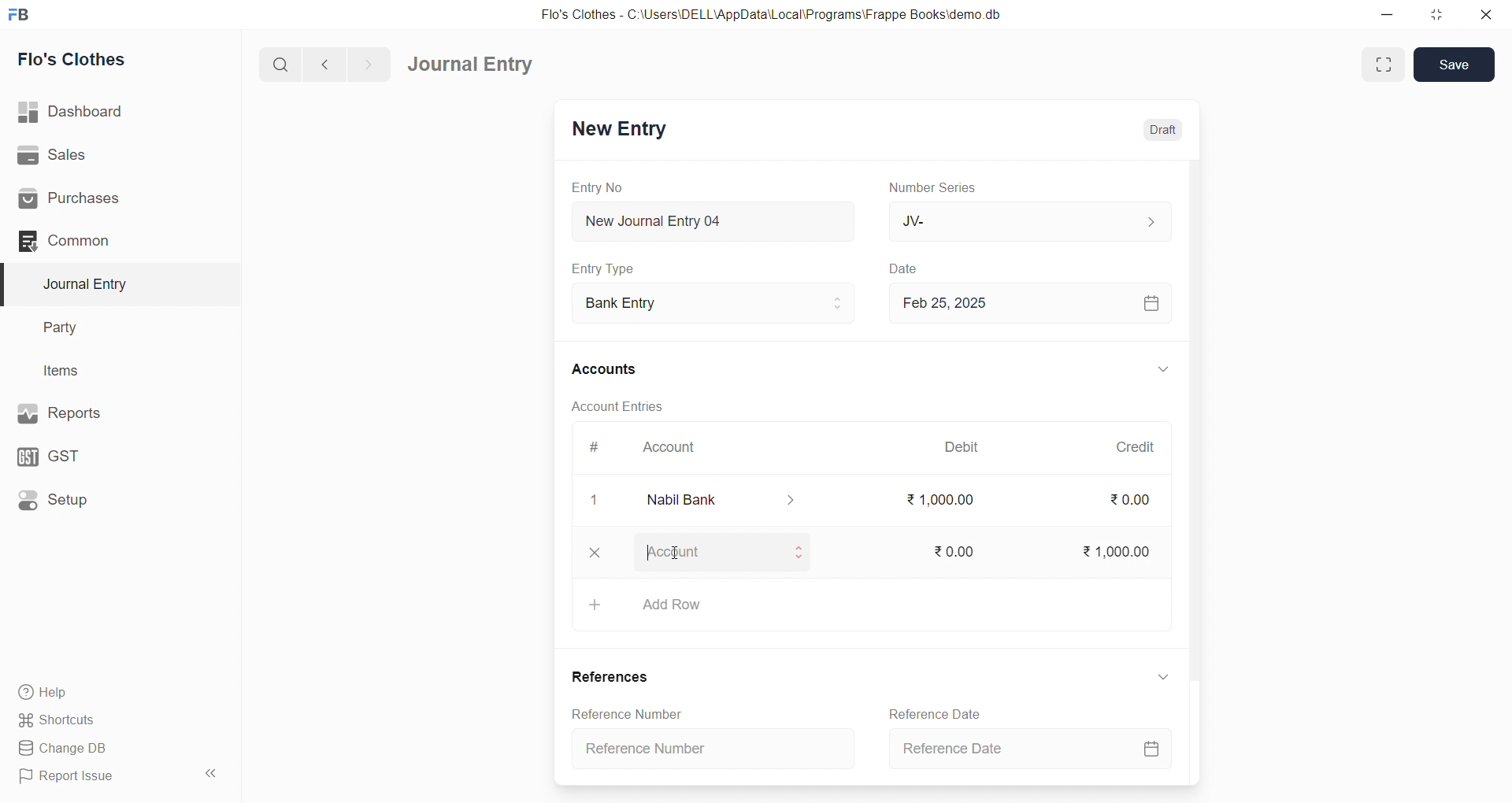  I want to click on Expand/Collapse, so click(1152, 371).